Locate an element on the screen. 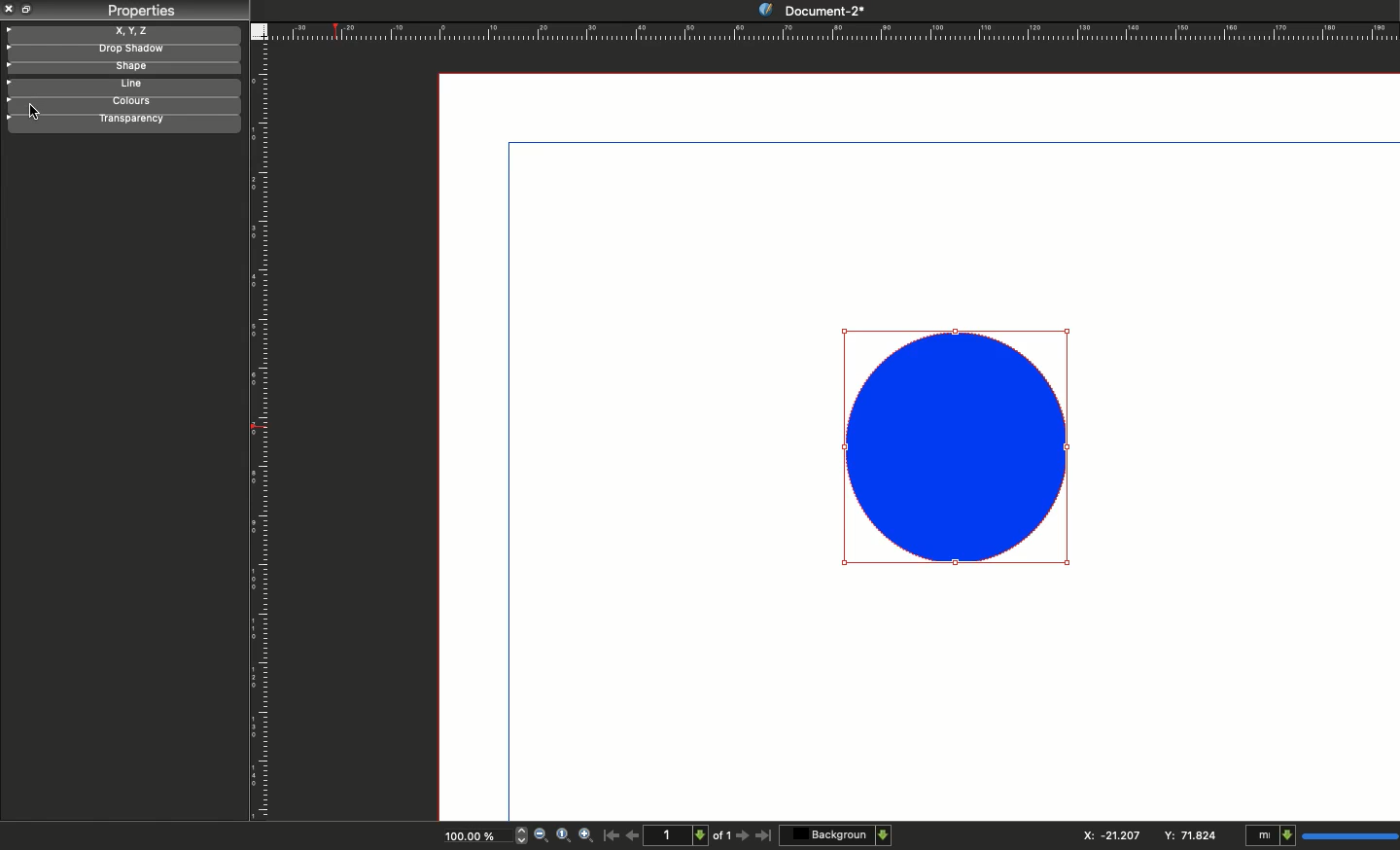 The image size is (1400, 850). Transparency is located at coordinates (120, 121).